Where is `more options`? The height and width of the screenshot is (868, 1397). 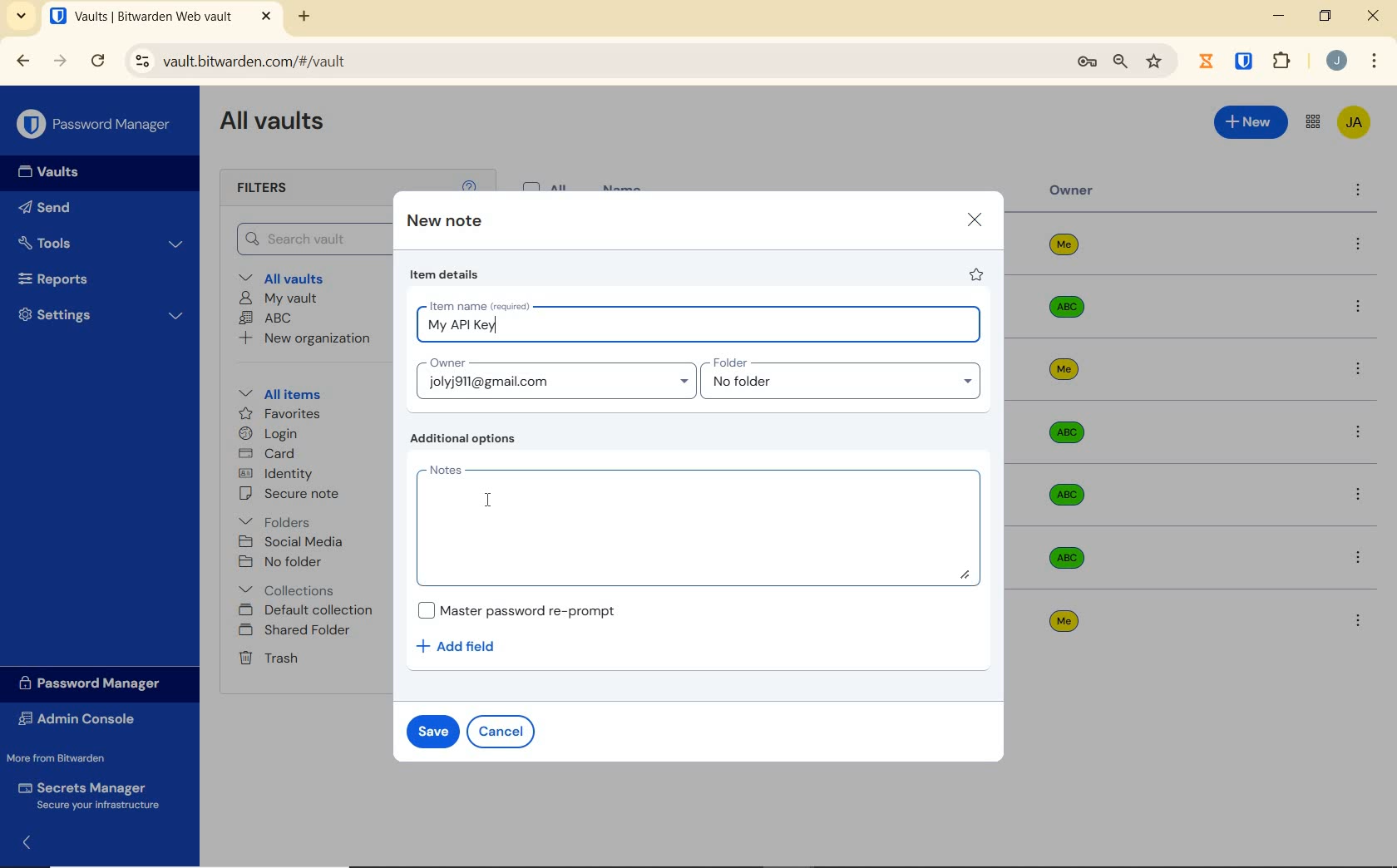
more options is located at coordinates (1360, 556).